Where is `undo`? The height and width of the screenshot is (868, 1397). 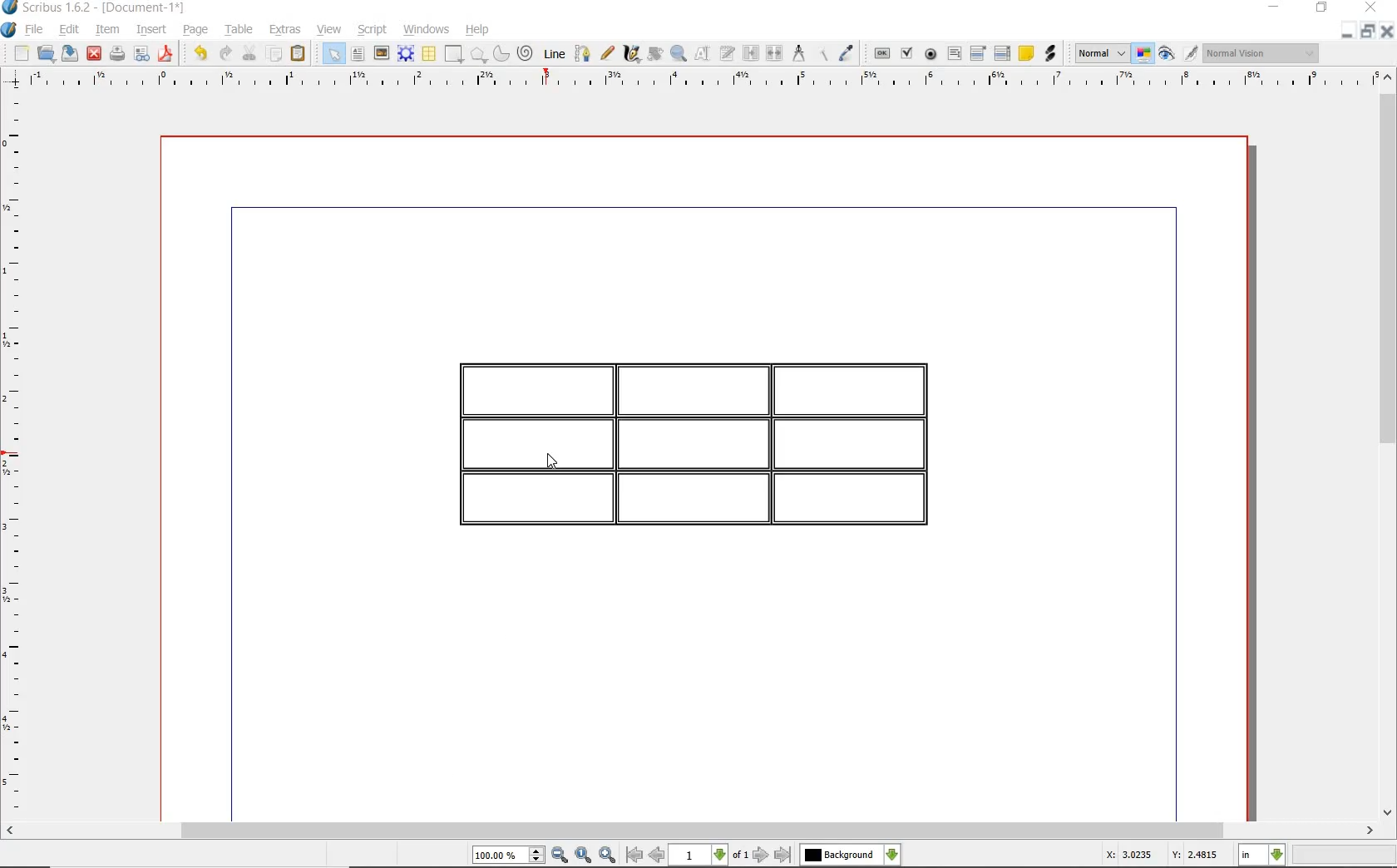 undo is located at coordinates (200, 54).